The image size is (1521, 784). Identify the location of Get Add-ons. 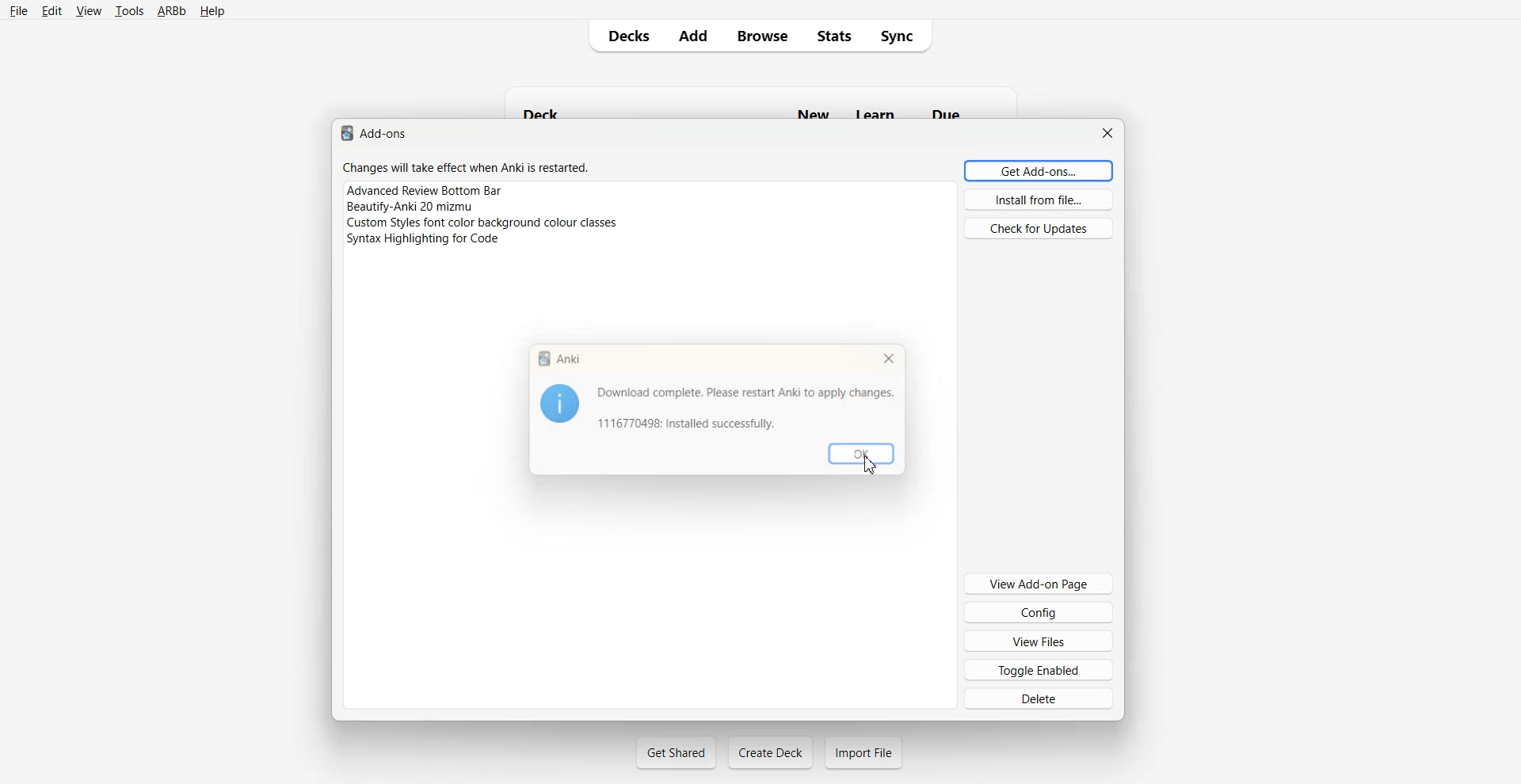
(1039, 170).